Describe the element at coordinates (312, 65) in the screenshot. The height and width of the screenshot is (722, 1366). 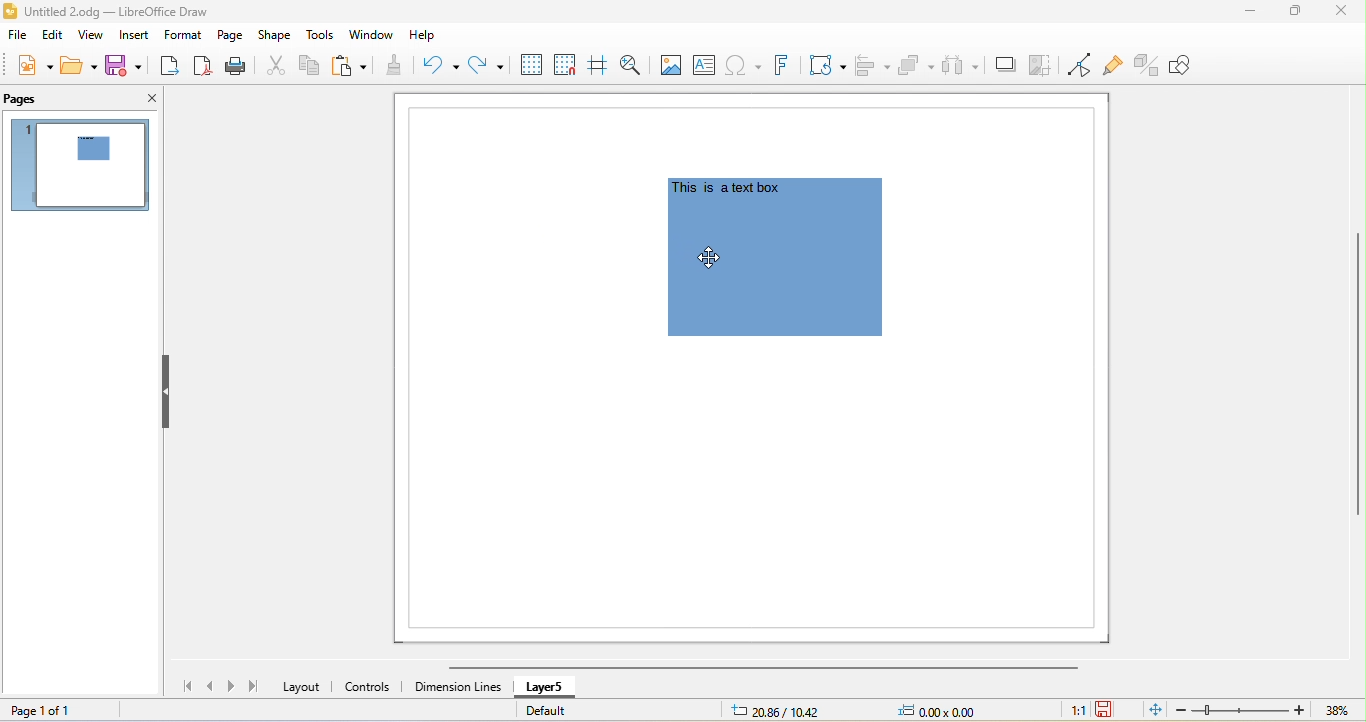
I see `copy` at that location.